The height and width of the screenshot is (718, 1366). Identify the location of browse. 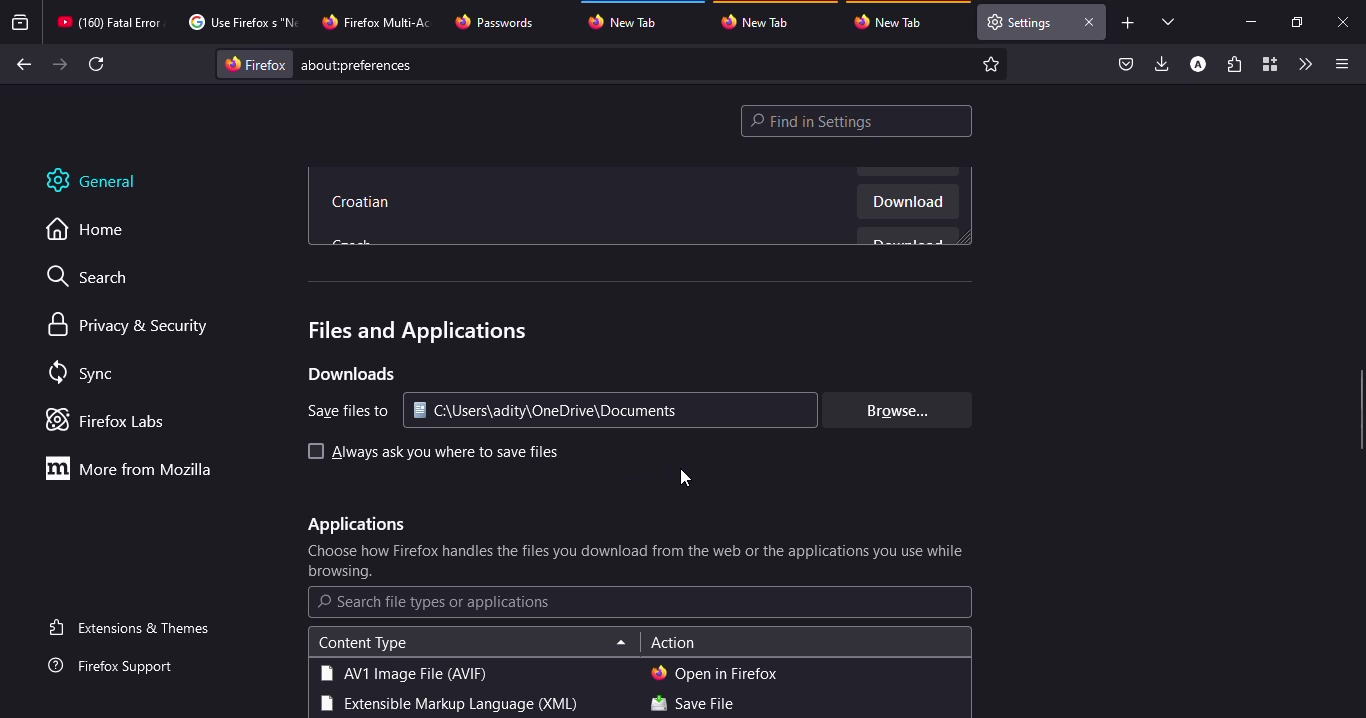
(893, 410).